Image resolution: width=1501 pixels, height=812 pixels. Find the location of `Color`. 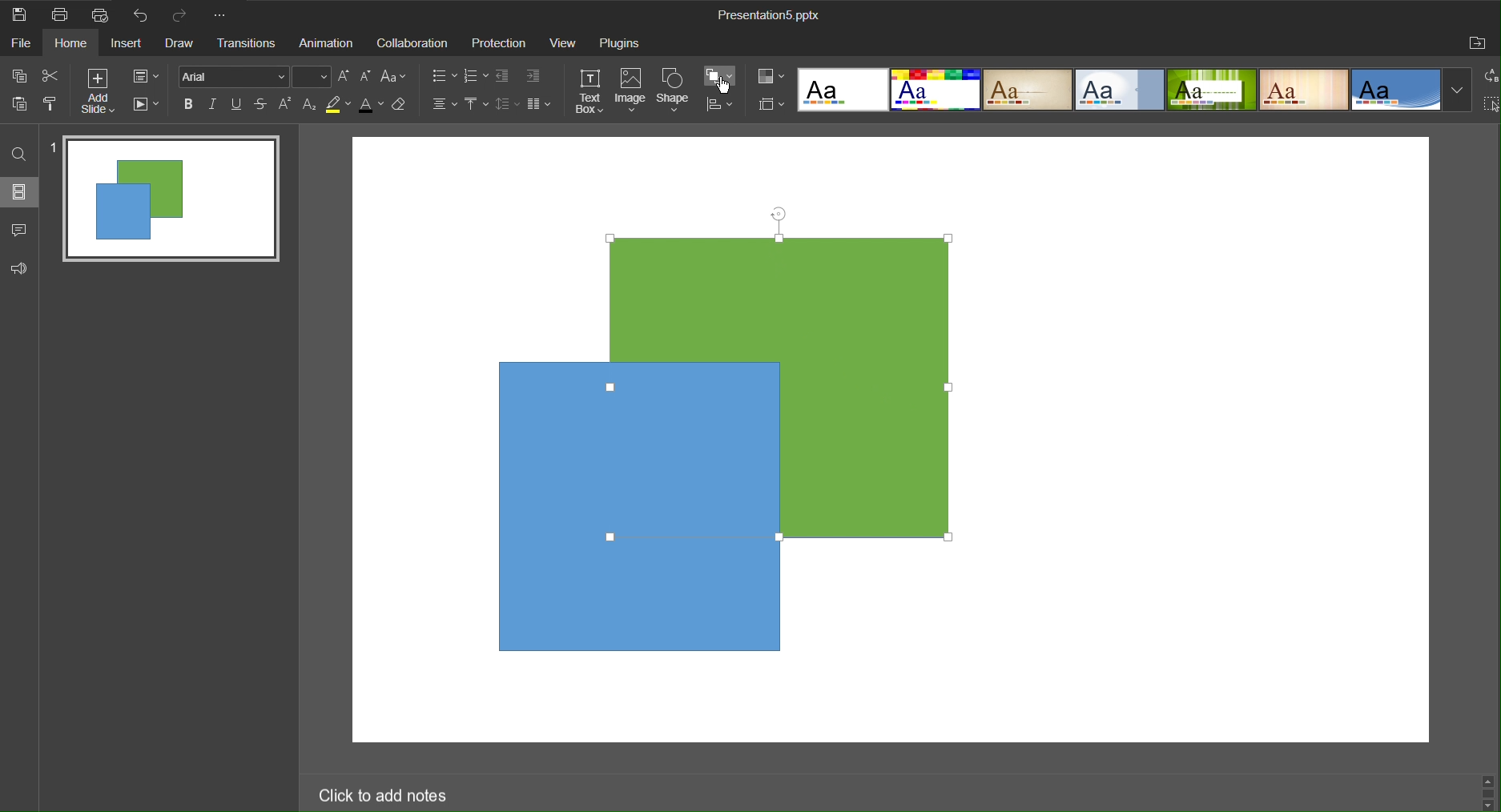

Color is located at coordinates (771, 78).